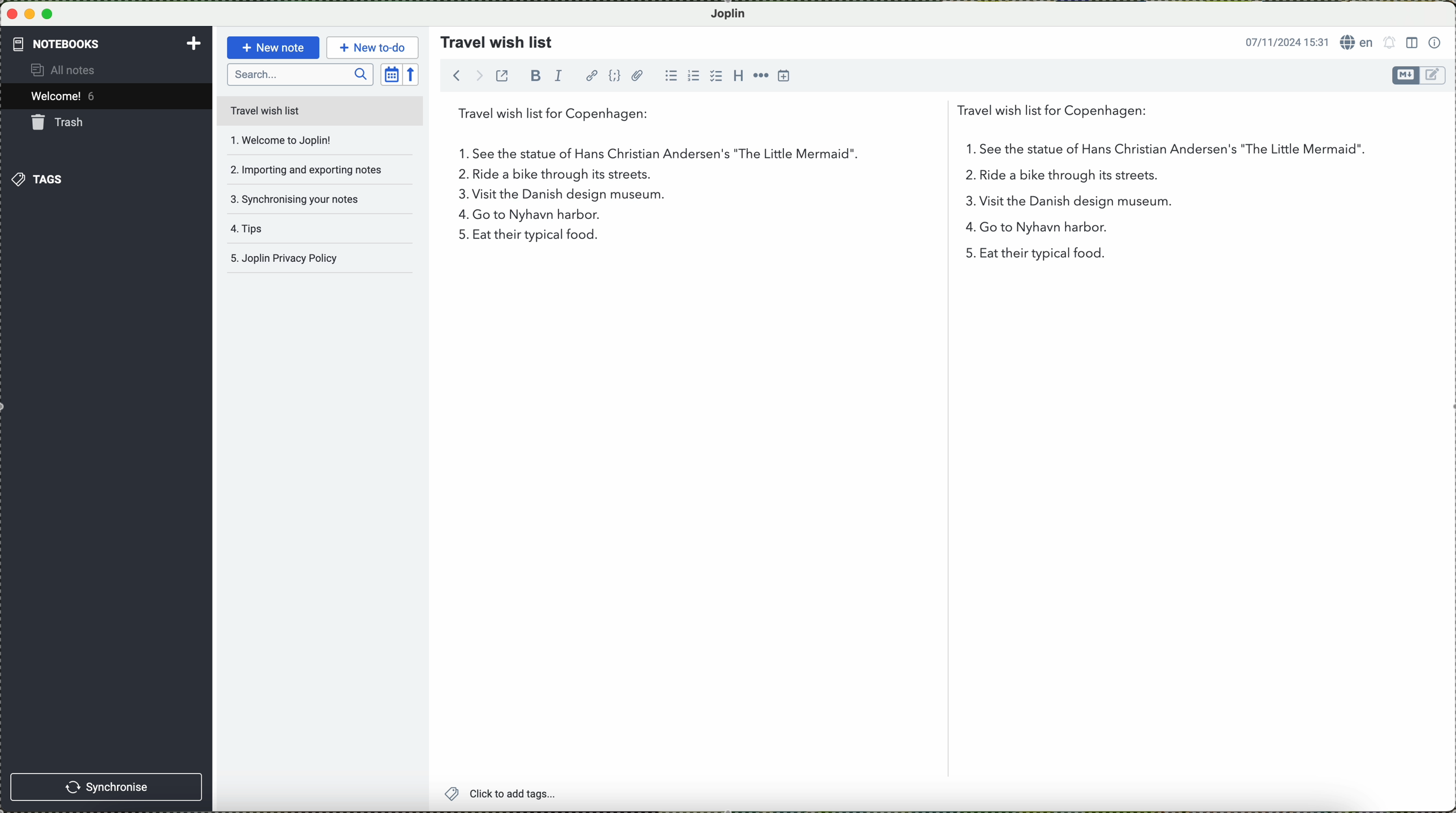 This screenshot has width=1456, height=813. What do you see at coordinates (1357, 42) in the screenshot?
I see `language` at bounding box center [1357, 42].